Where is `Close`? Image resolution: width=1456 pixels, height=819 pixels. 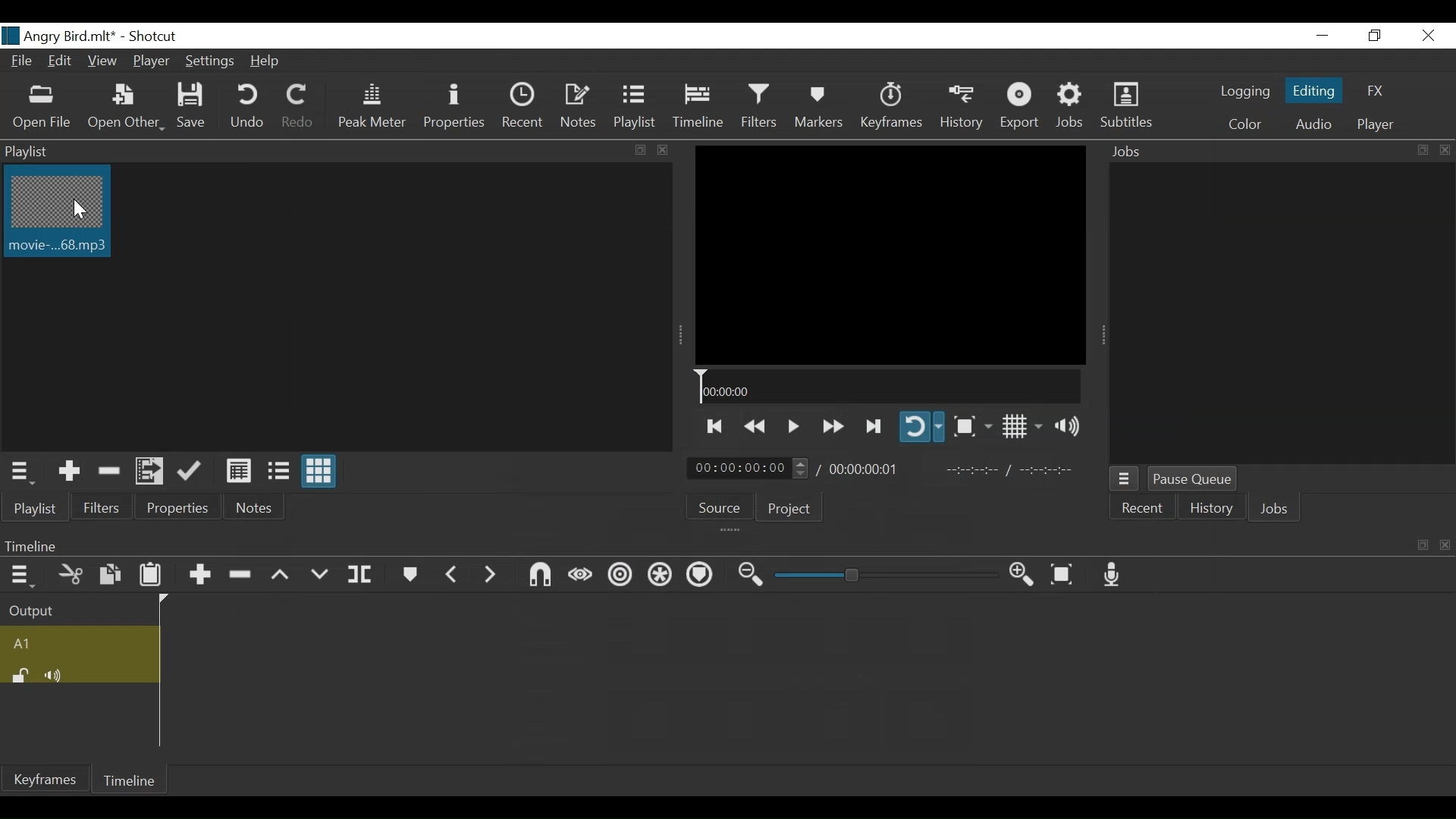 Close is located at coordinates (1429, 36).